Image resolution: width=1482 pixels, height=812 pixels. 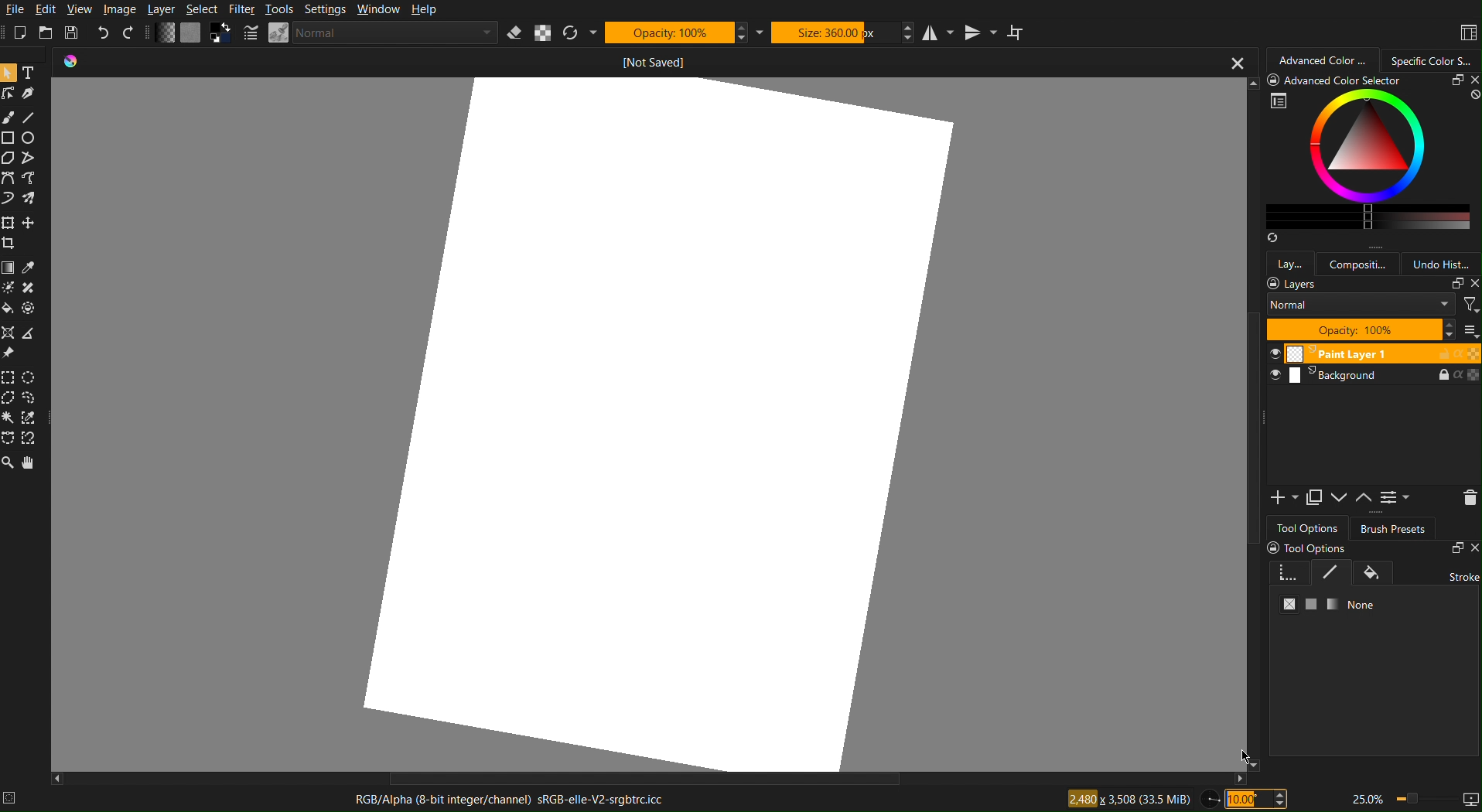 I want to click on Pan Tool, so click(x=29, y=463).